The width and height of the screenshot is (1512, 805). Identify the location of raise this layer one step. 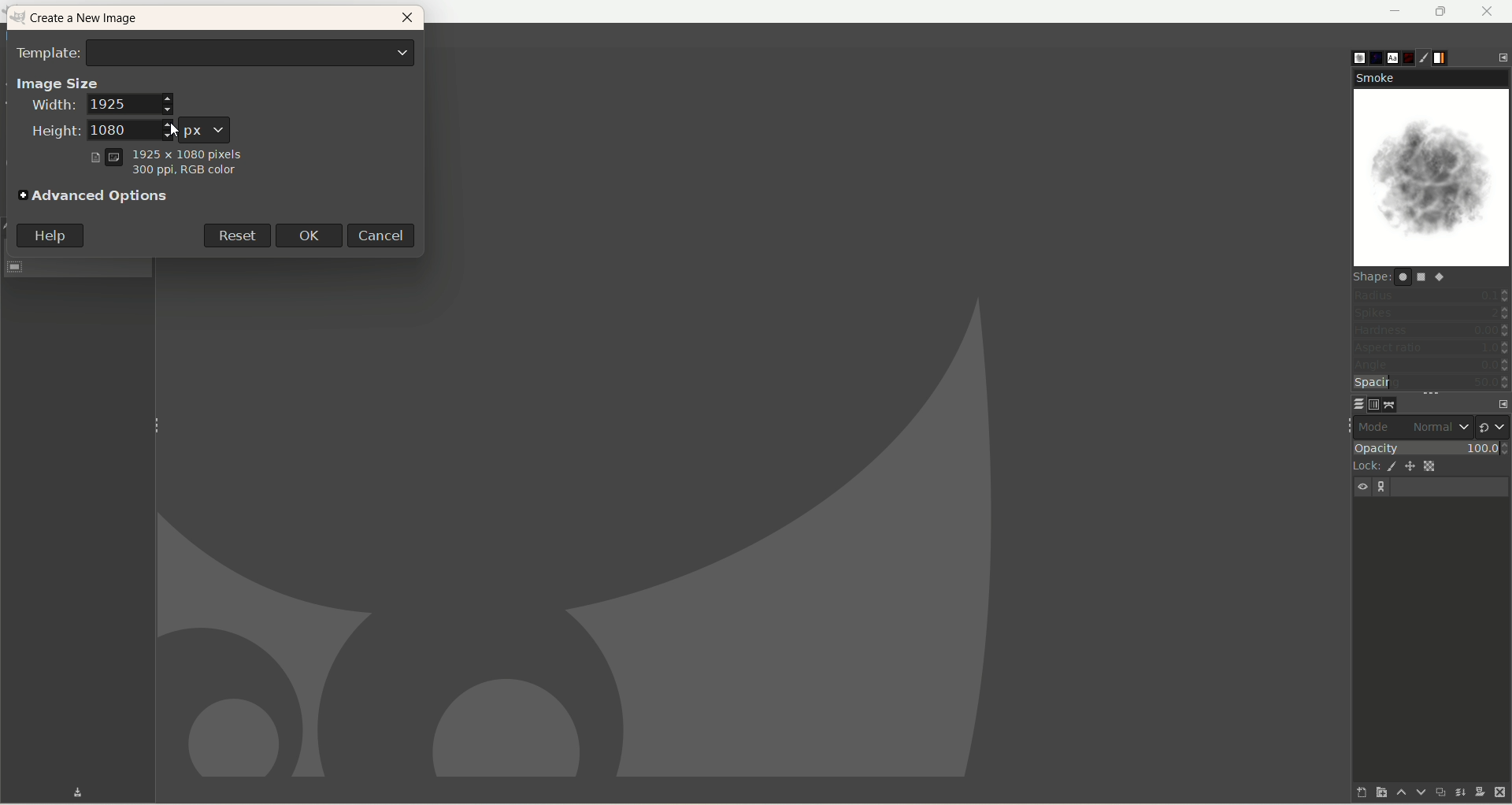
(1394, 795).